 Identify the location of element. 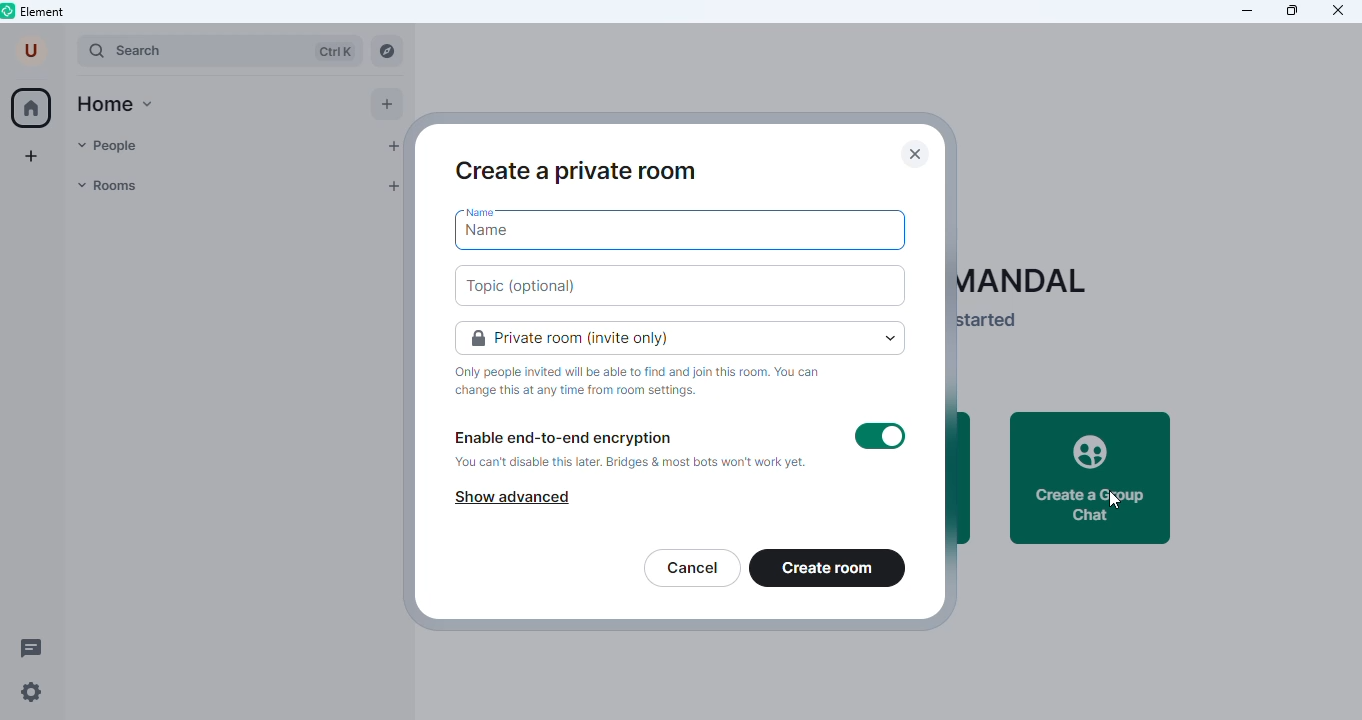
(34, 13).